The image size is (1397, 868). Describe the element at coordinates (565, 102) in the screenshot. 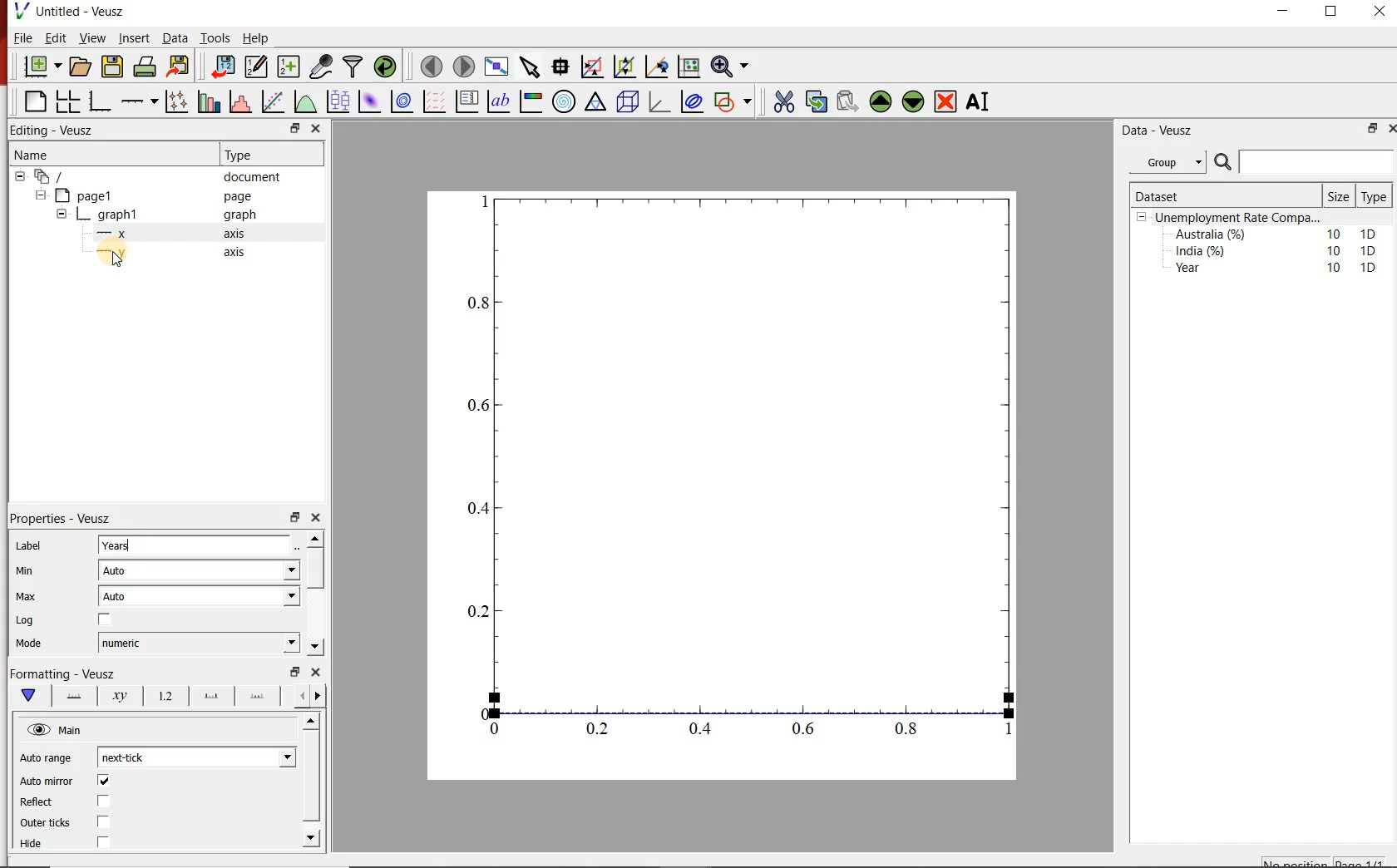

I see `polar graph` at that location.